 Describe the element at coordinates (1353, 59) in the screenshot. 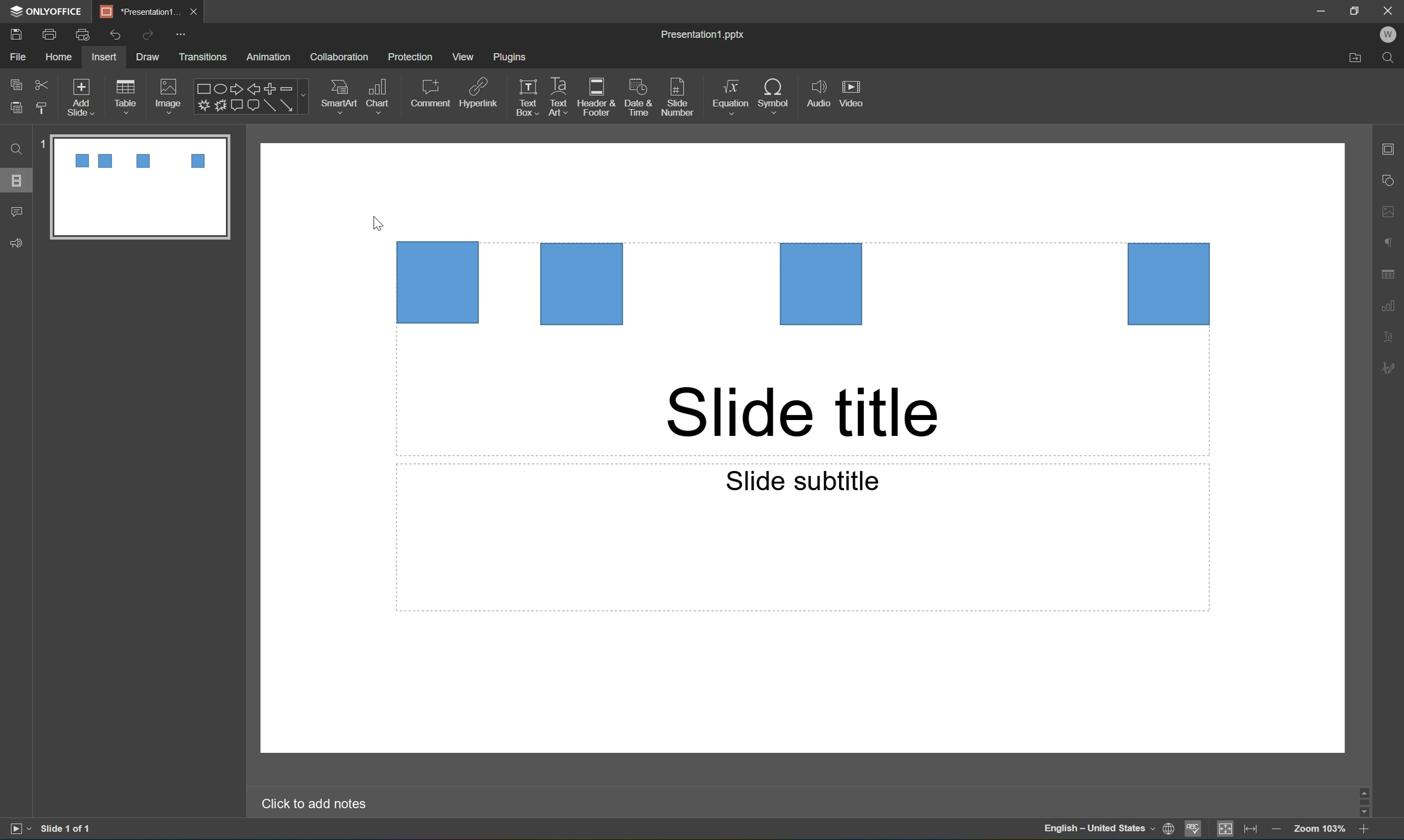

I see `Open file location` at that location.